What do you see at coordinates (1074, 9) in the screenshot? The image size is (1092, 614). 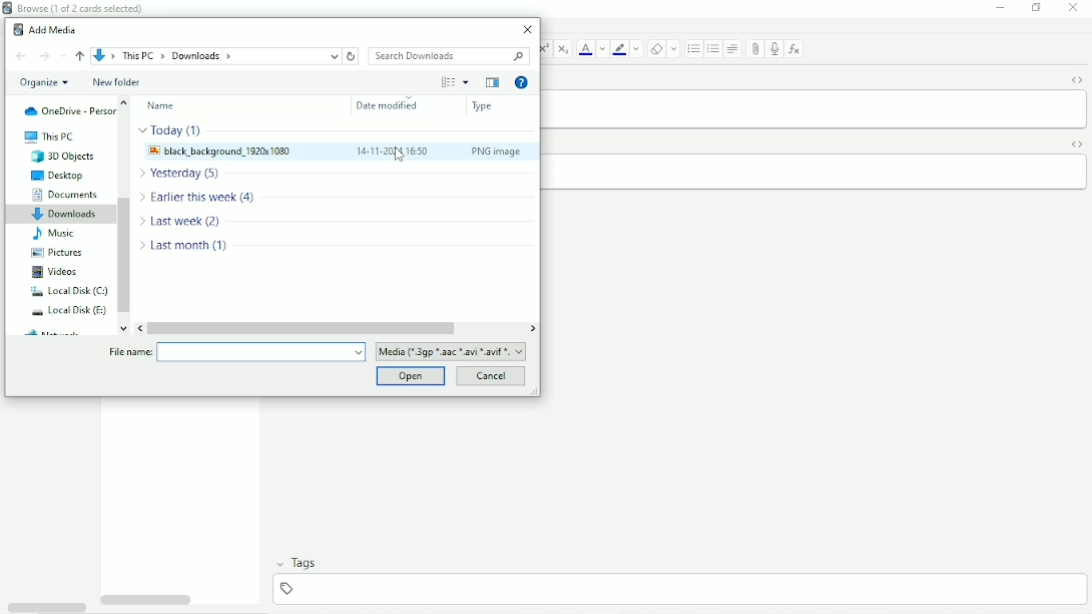 I see `Close` at bounding box center [1074, 9].